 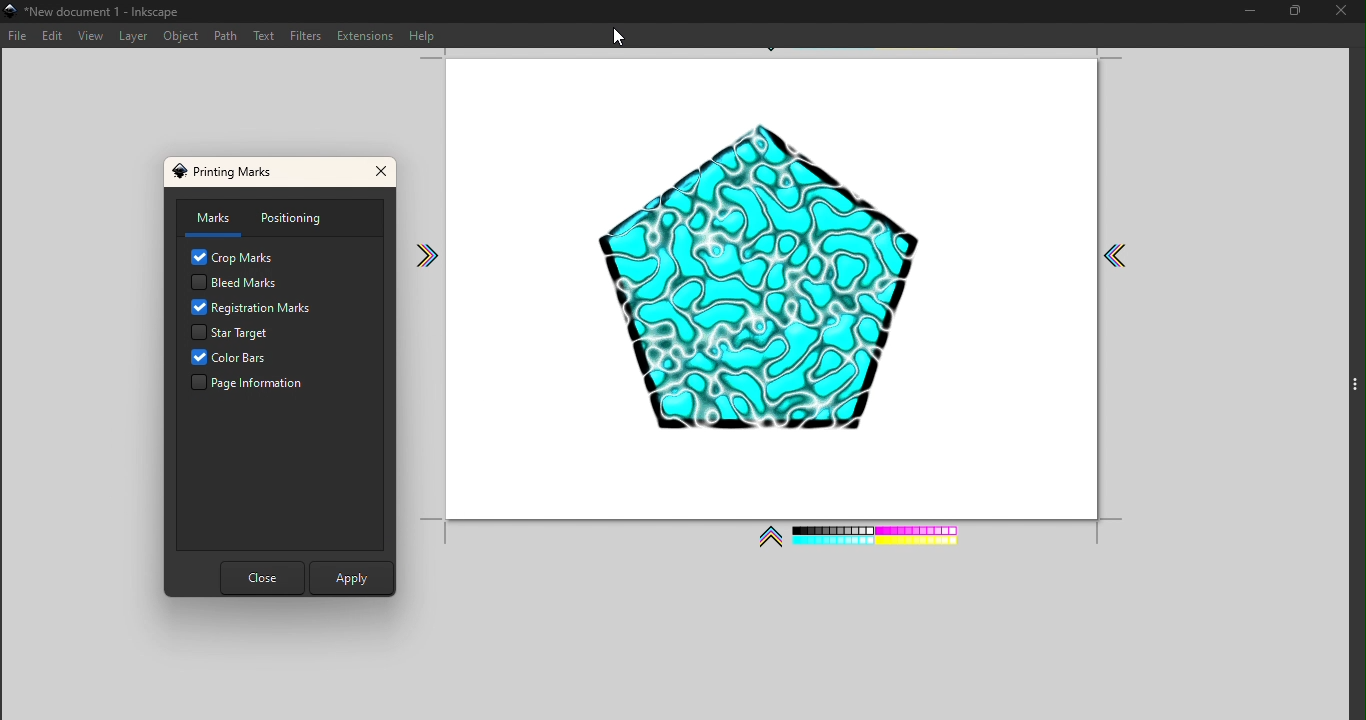 I want to click on Extensions, so click(x=365, y=35).